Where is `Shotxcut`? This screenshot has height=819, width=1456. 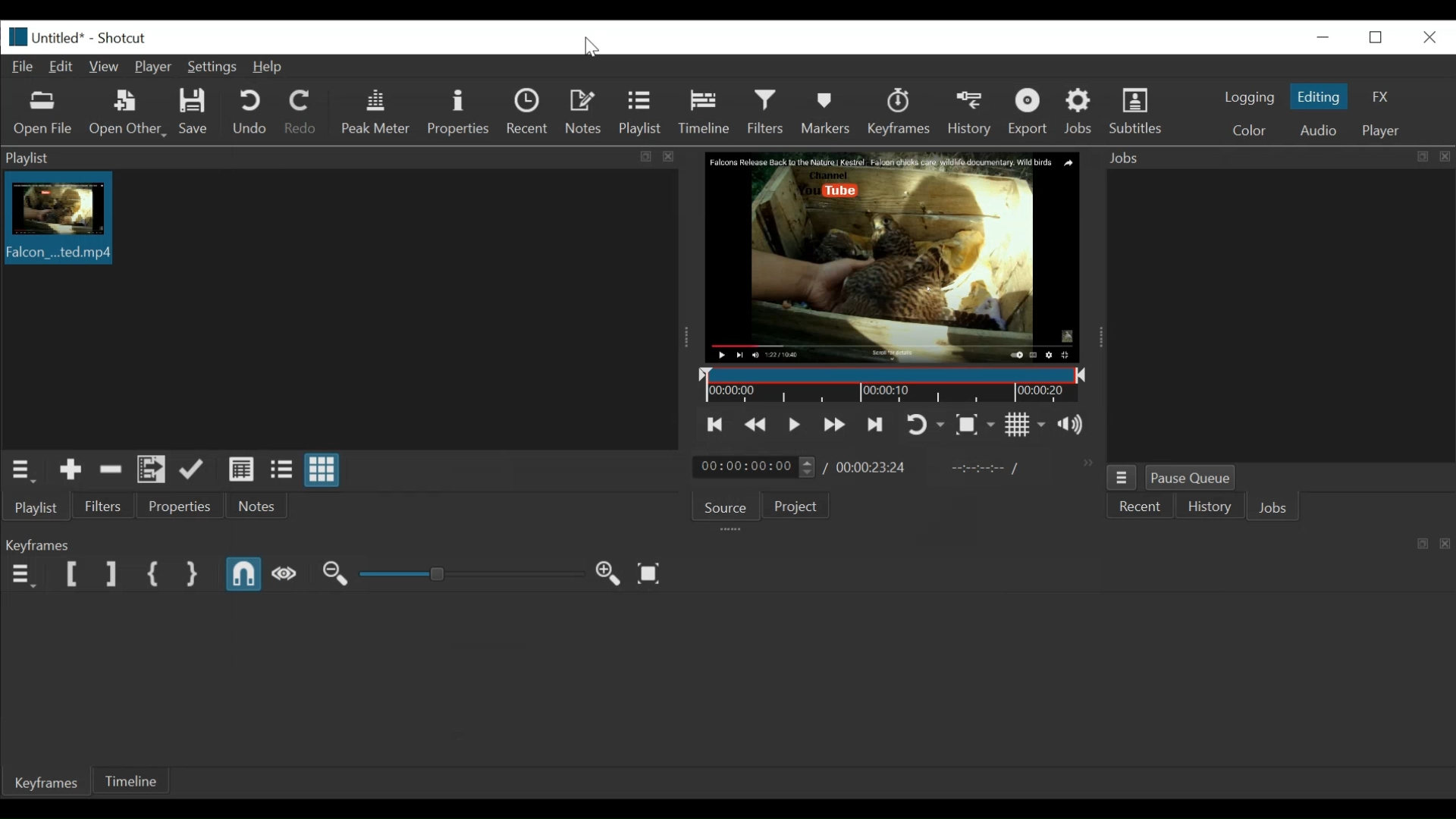 Shotxcut is located at coordinates (125, 38).